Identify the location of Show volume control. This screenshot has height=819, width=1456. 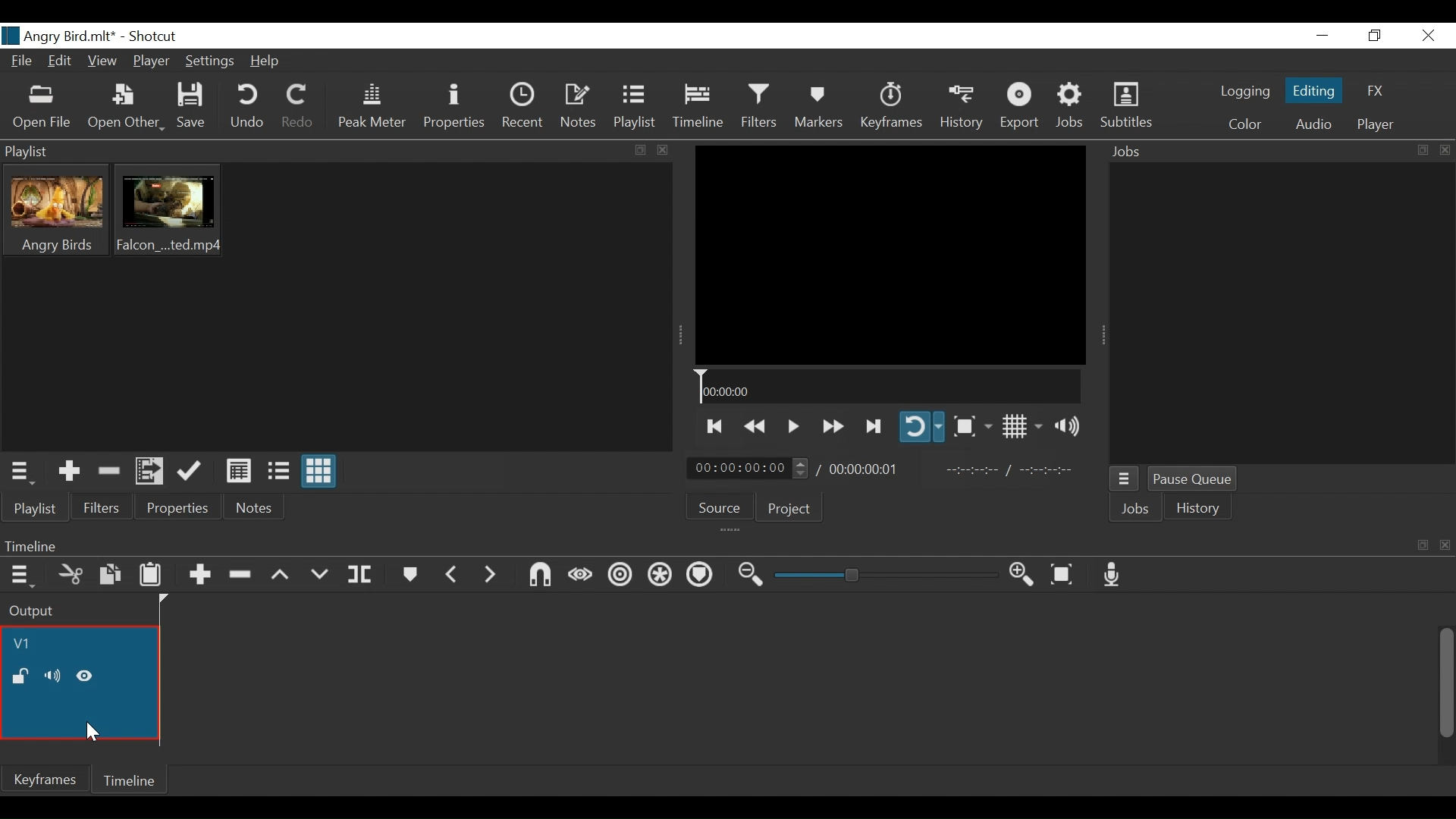
(1065, 427).